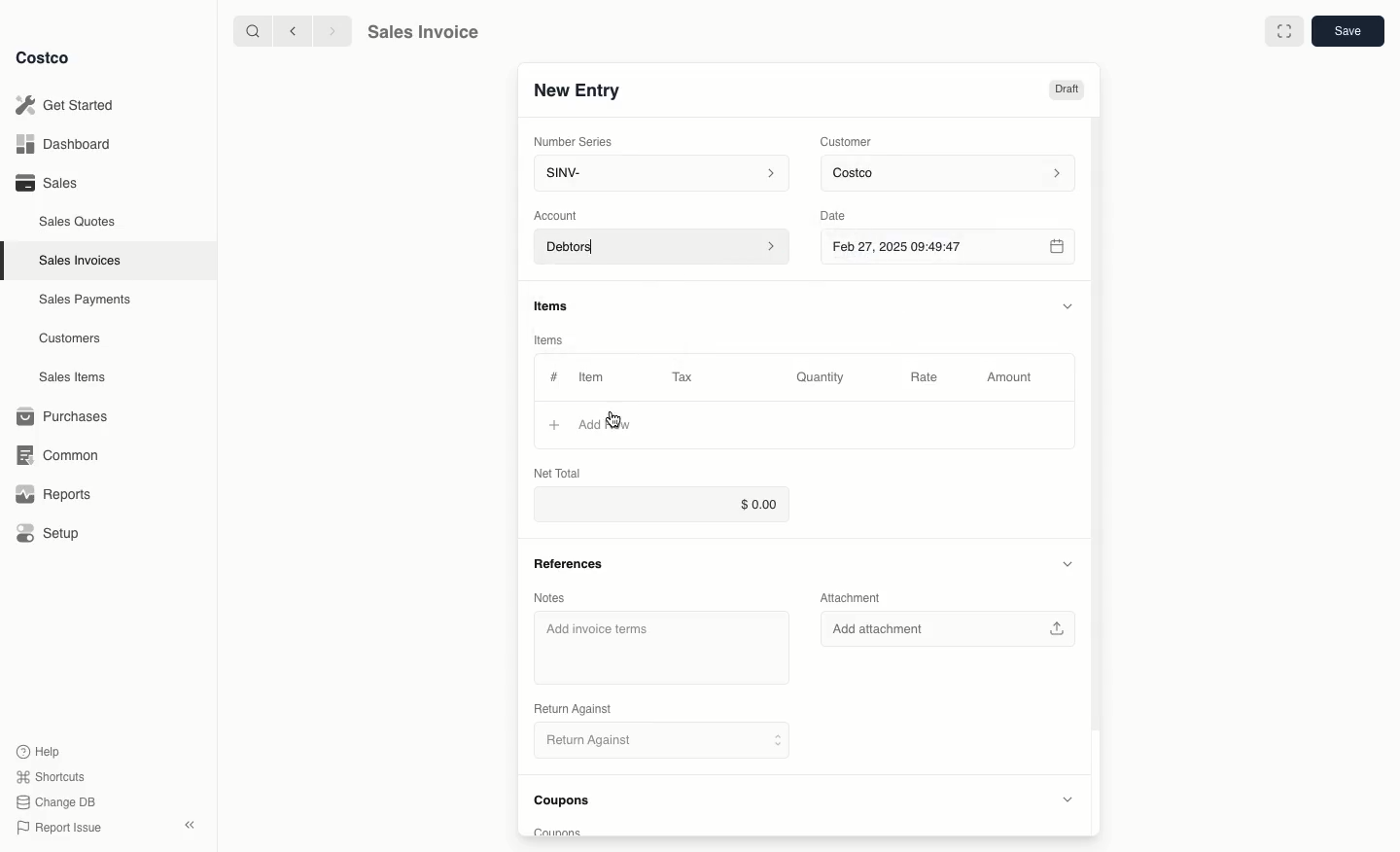 The height and width of the screenshot is (852, 1400). I want to click on Purchases, so click(63, 416).